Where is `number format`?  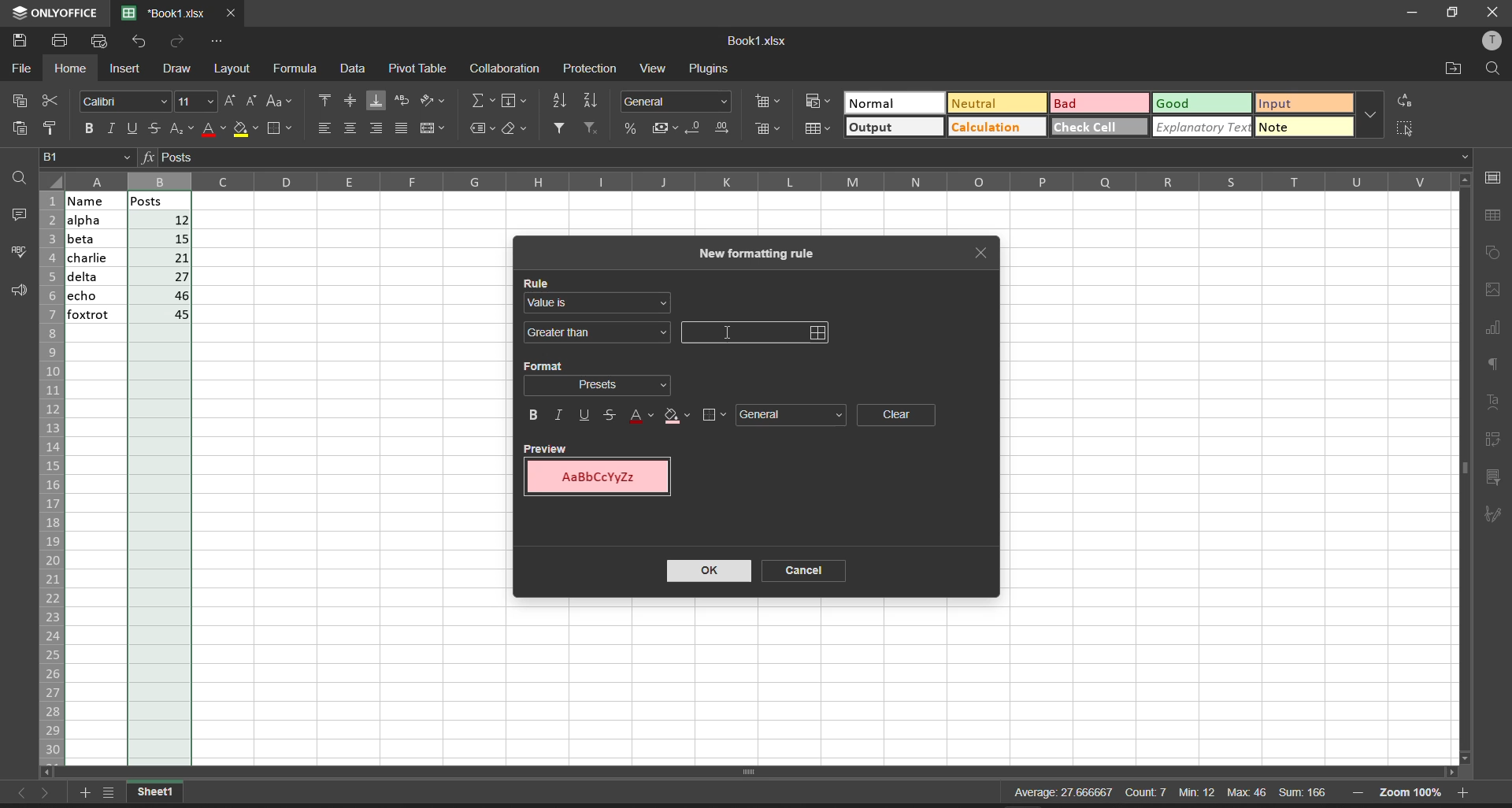 number format is located at coordinates (677, 101).